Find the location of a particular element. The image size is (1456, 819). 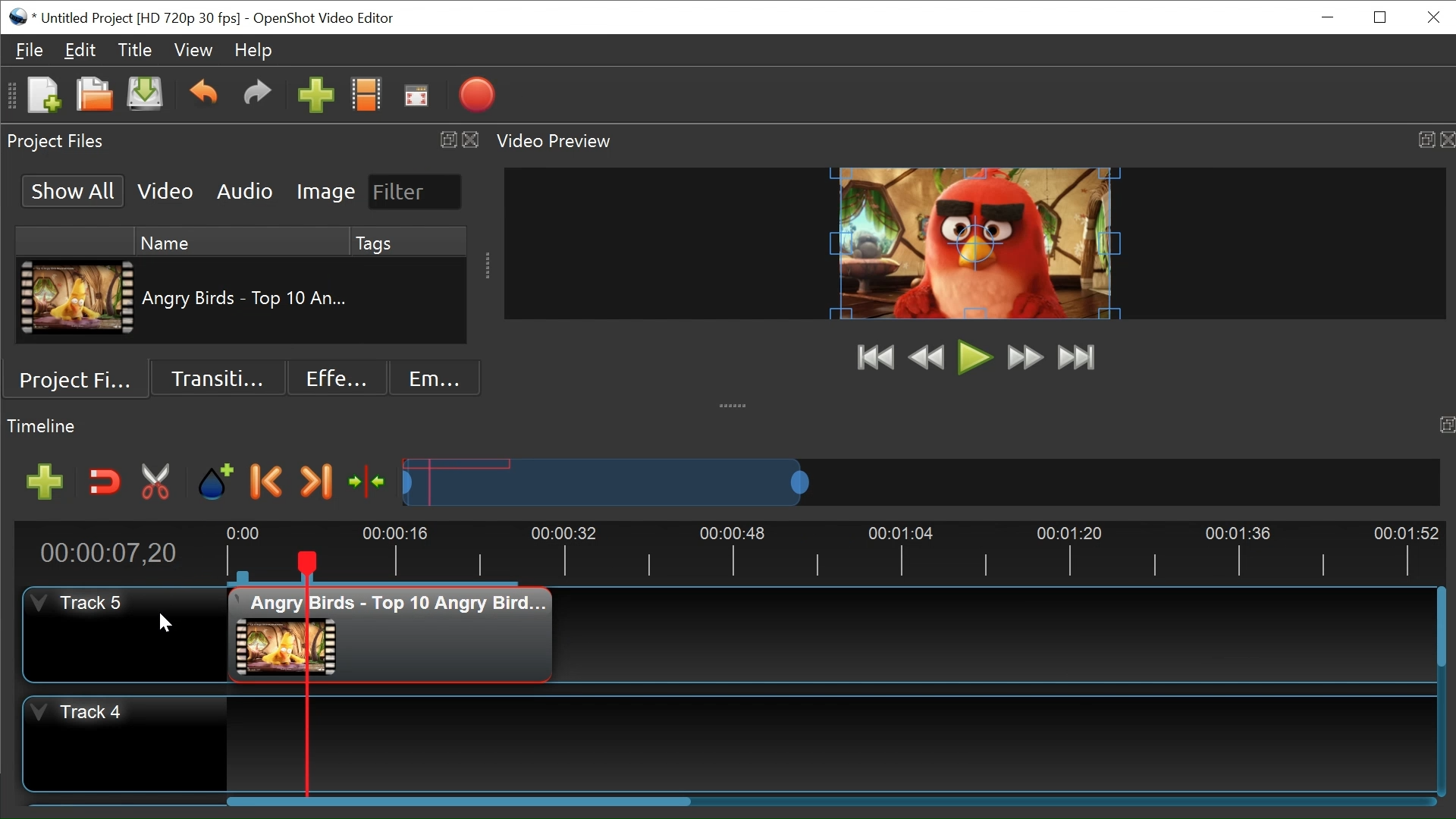

Filter is located at coordinates (410, 191).